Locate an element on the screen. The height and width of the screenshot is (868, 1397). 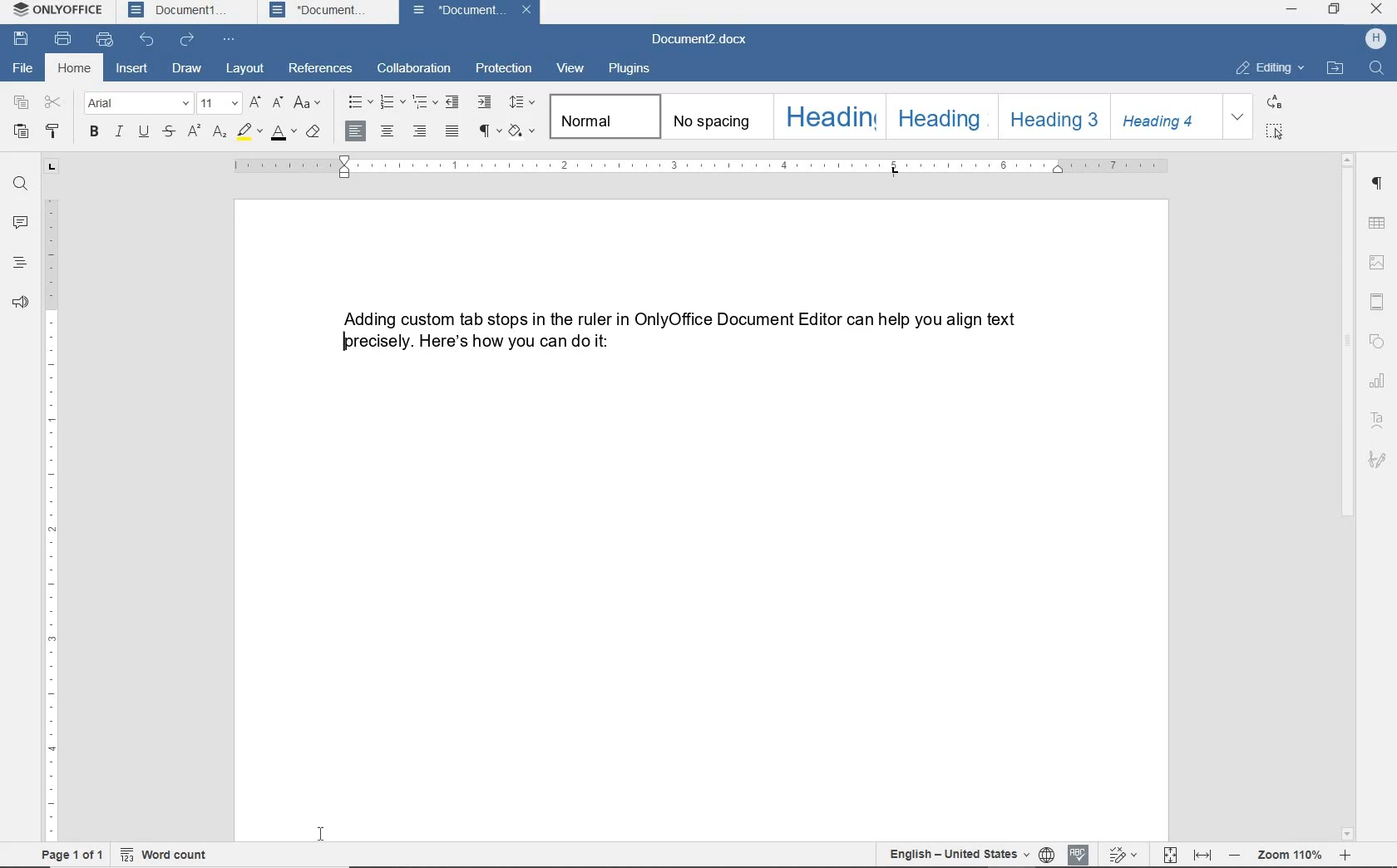
shading is located at coordinates (521, 131).